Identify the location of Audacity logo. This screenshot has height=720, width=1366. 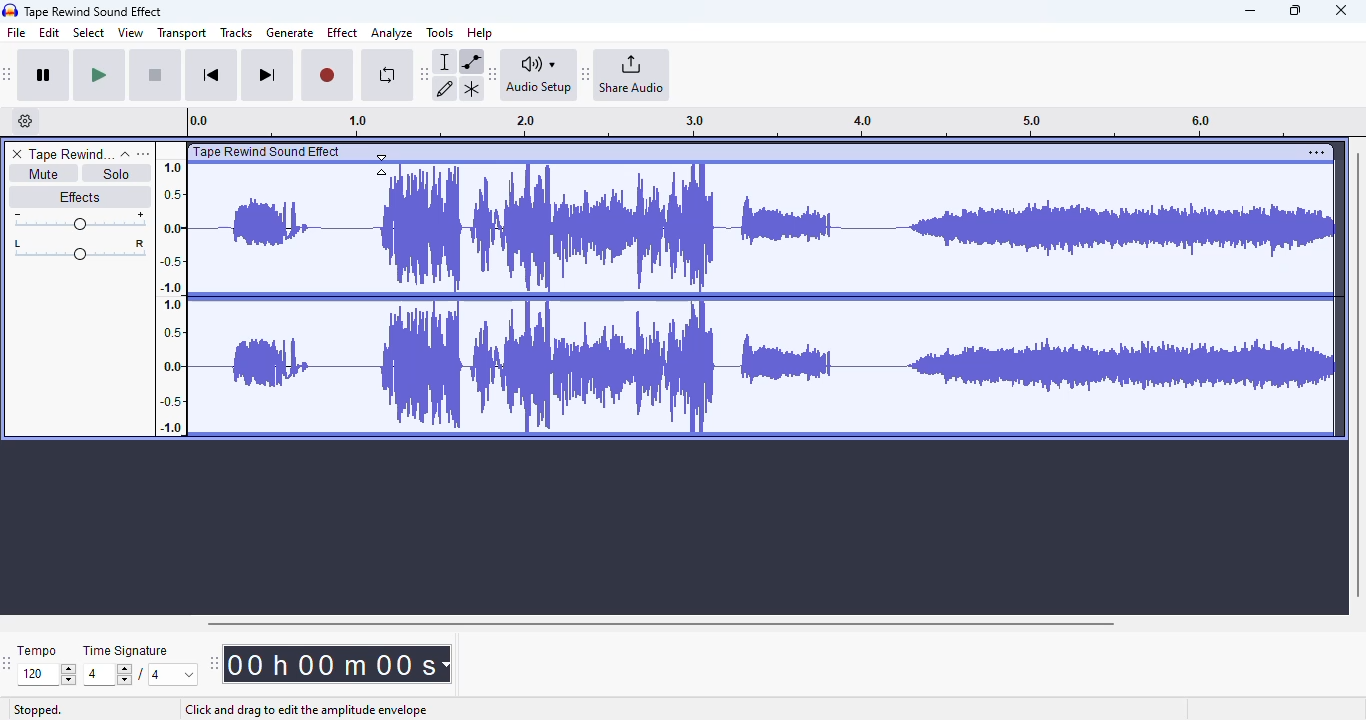
(10, 11).